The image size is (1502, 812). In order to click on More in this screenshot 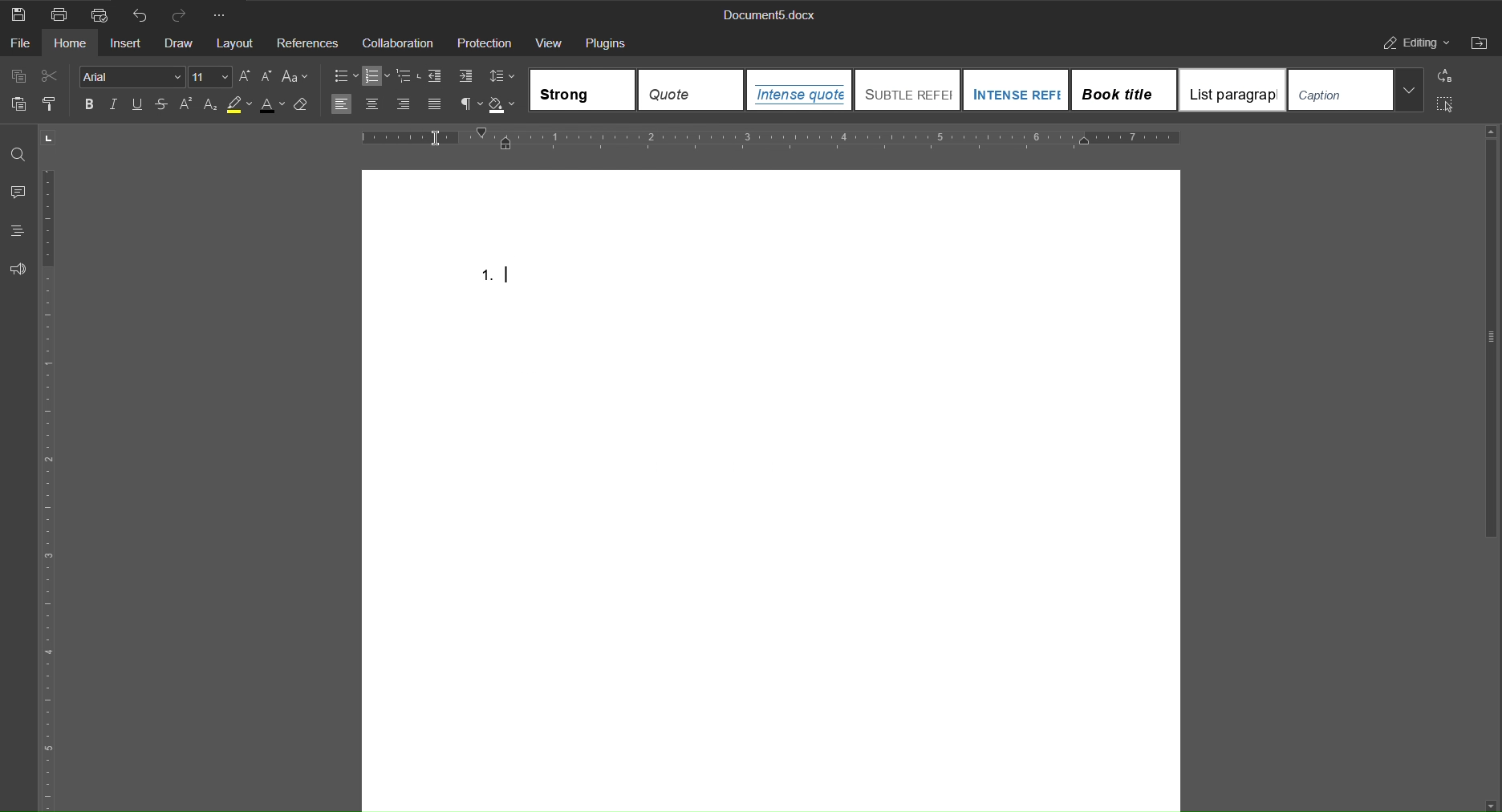, I will do `click(223, 14)`.